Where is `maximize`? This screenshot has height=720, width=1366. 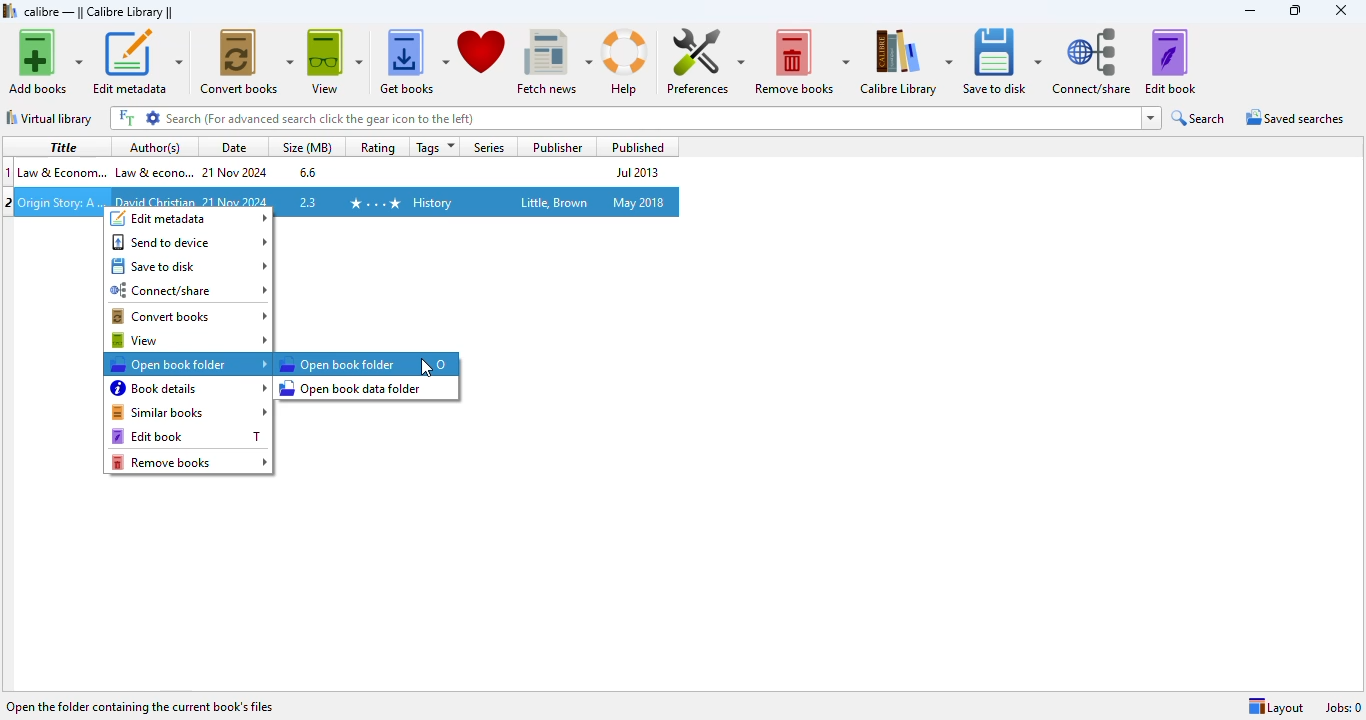 maximize is located at coordinates (1294, 10).